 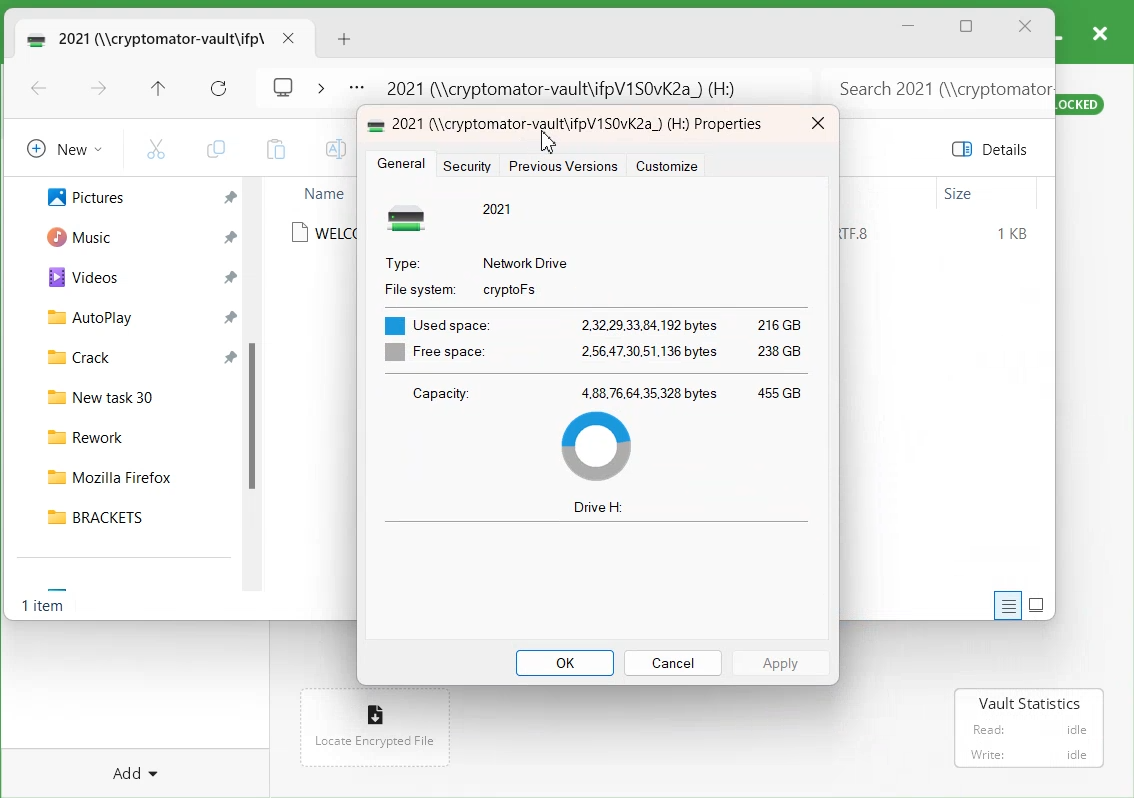 I want to click on Pictures, so click(x=75, y=195).